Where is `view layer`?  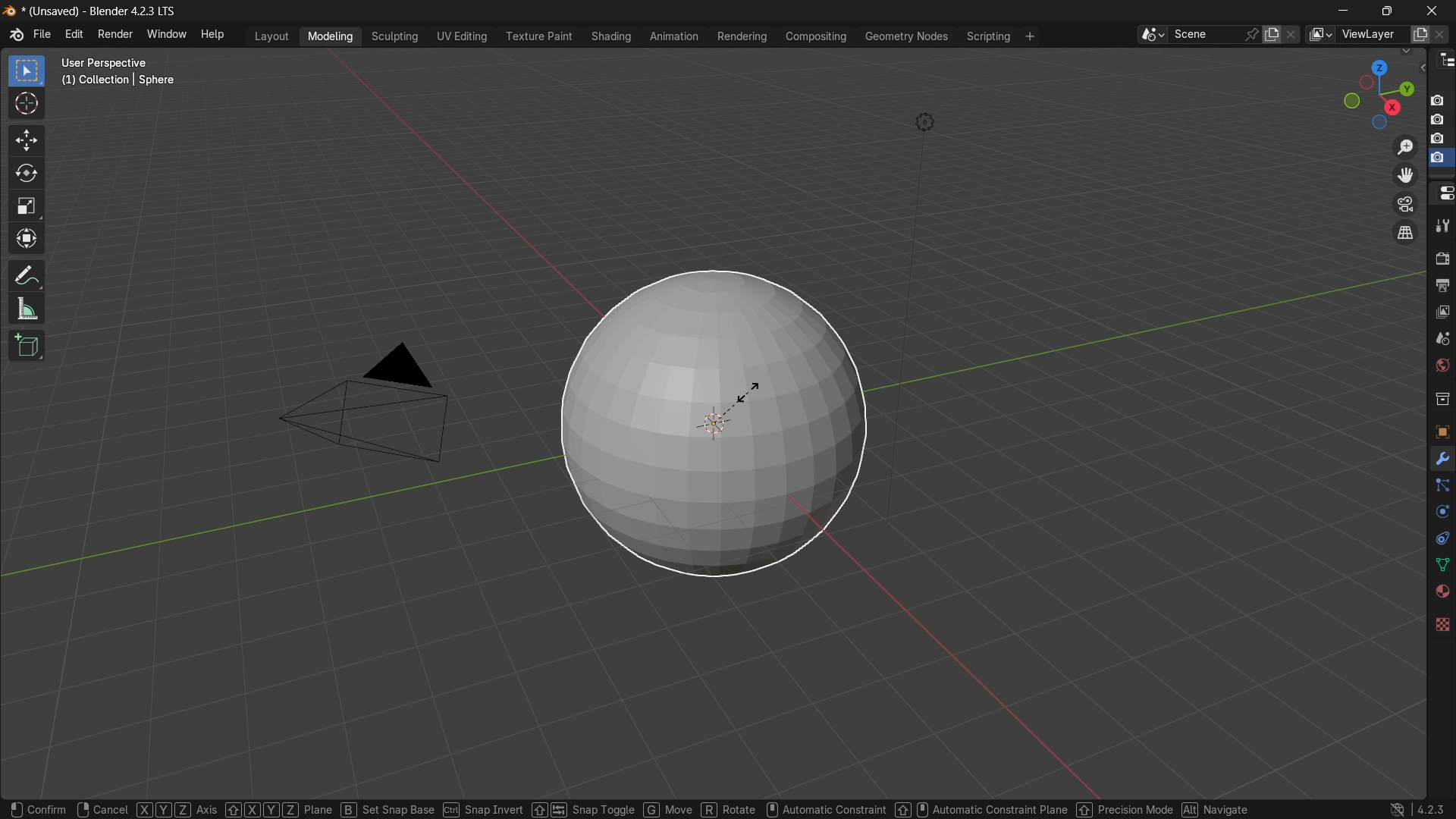
view layer is located at coordinates (1441, 313).